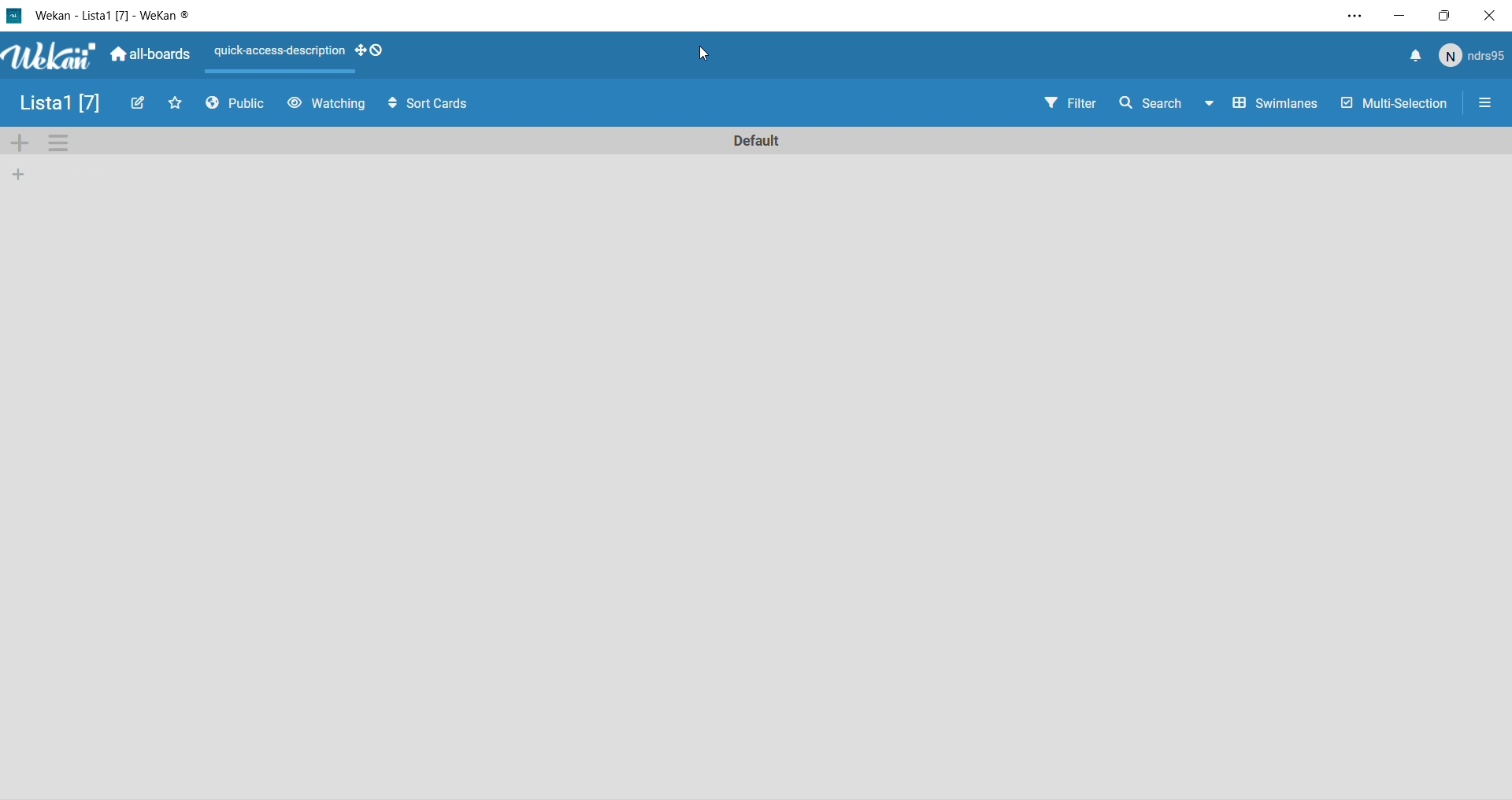 The image size is (1512, 800). Describe the element at coordinates (1415, 61) in the screenshot. I see `notify` at that location.